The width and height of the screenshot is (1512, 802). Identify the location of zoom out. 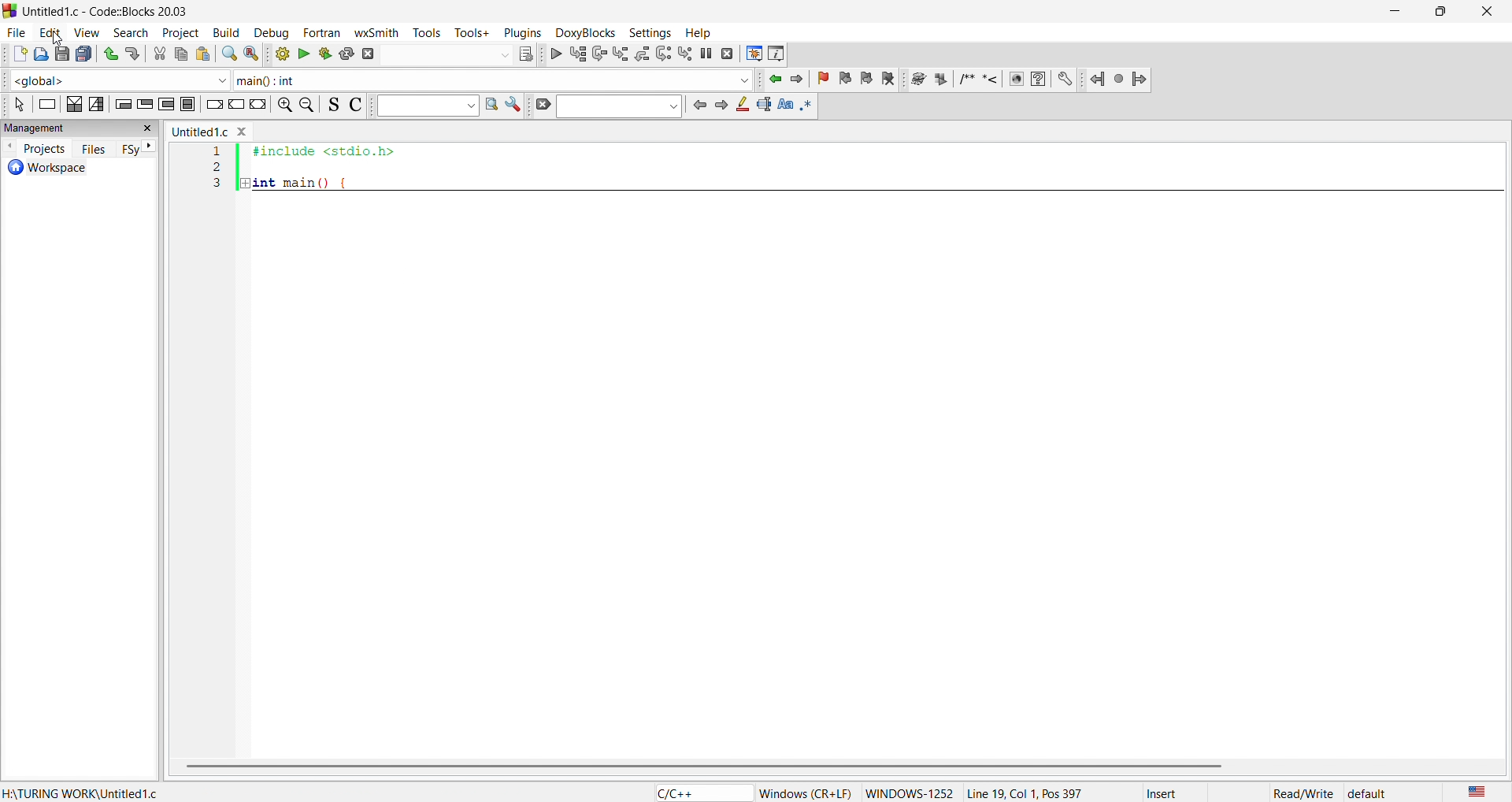
(309, 104).